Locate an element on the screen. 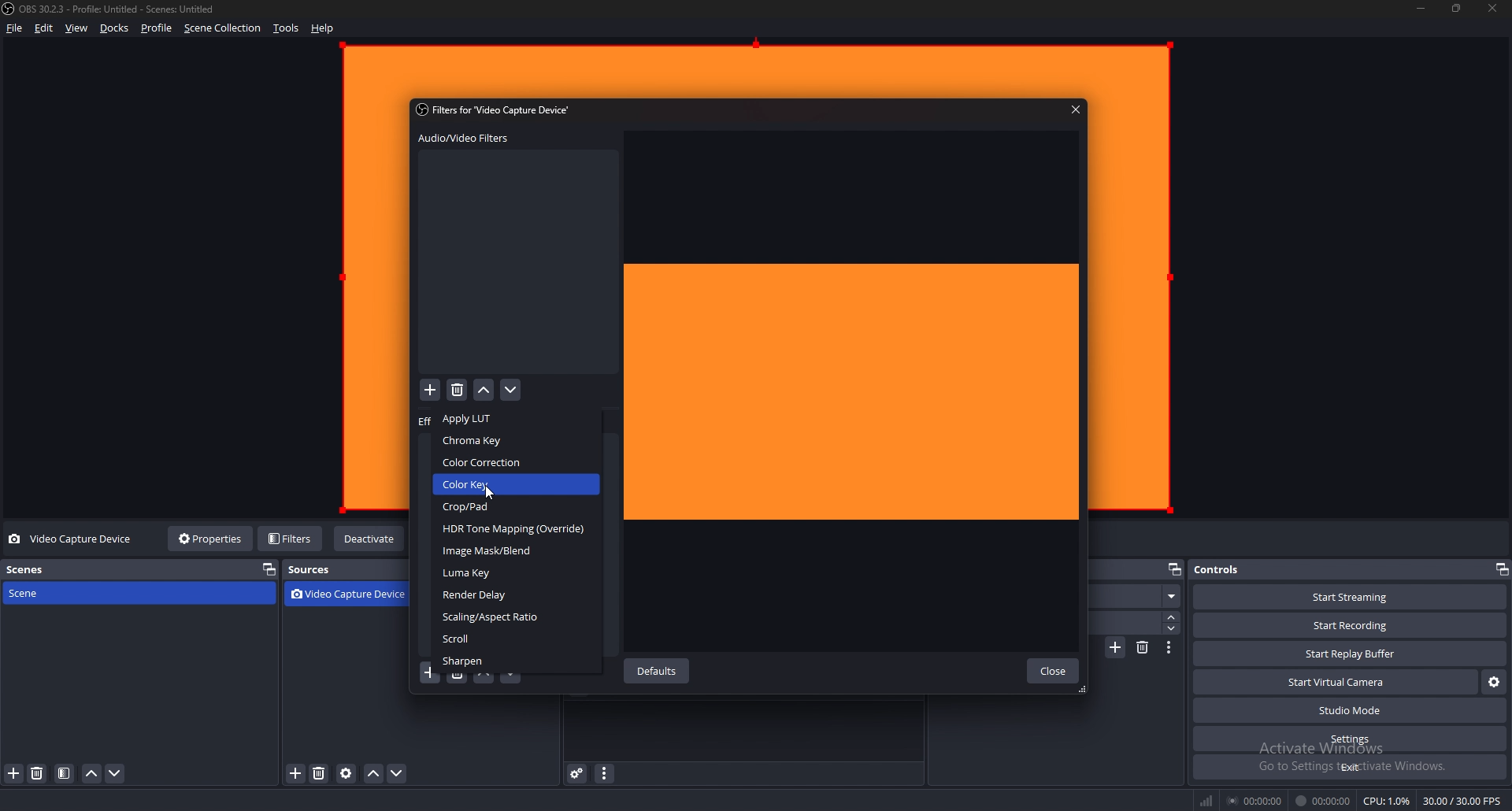  move scene up is located at coordinates (93, 774).